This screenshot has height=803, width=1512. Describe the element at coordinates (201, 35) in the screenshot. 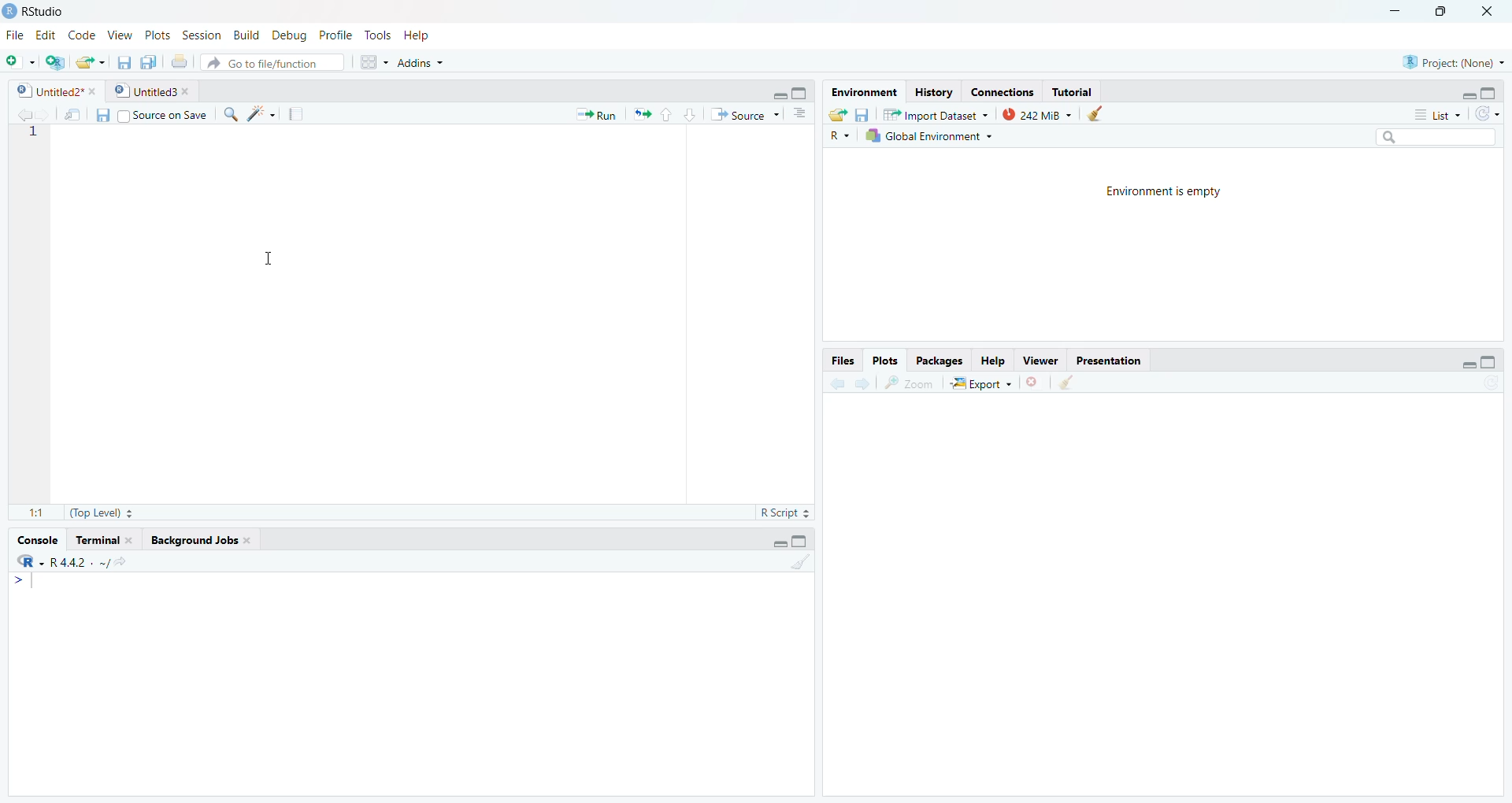

I see `Session` at that location.